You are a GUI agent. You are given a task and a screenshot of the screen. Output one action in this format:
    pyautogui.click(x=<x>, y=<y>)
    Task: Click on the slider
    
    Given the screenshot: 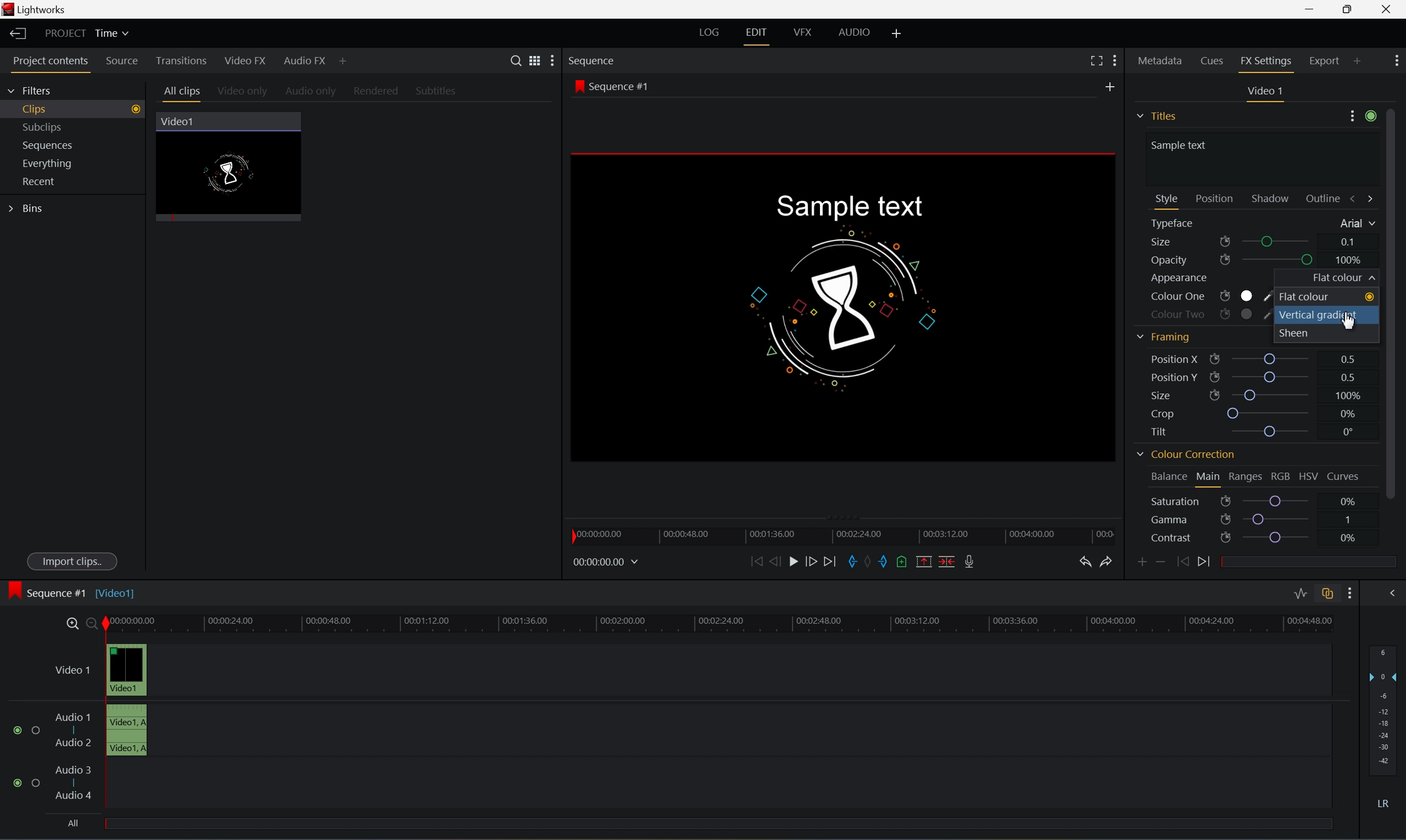 What is the action you would take?
    pyautogui.click(x=1279, y=501)
    